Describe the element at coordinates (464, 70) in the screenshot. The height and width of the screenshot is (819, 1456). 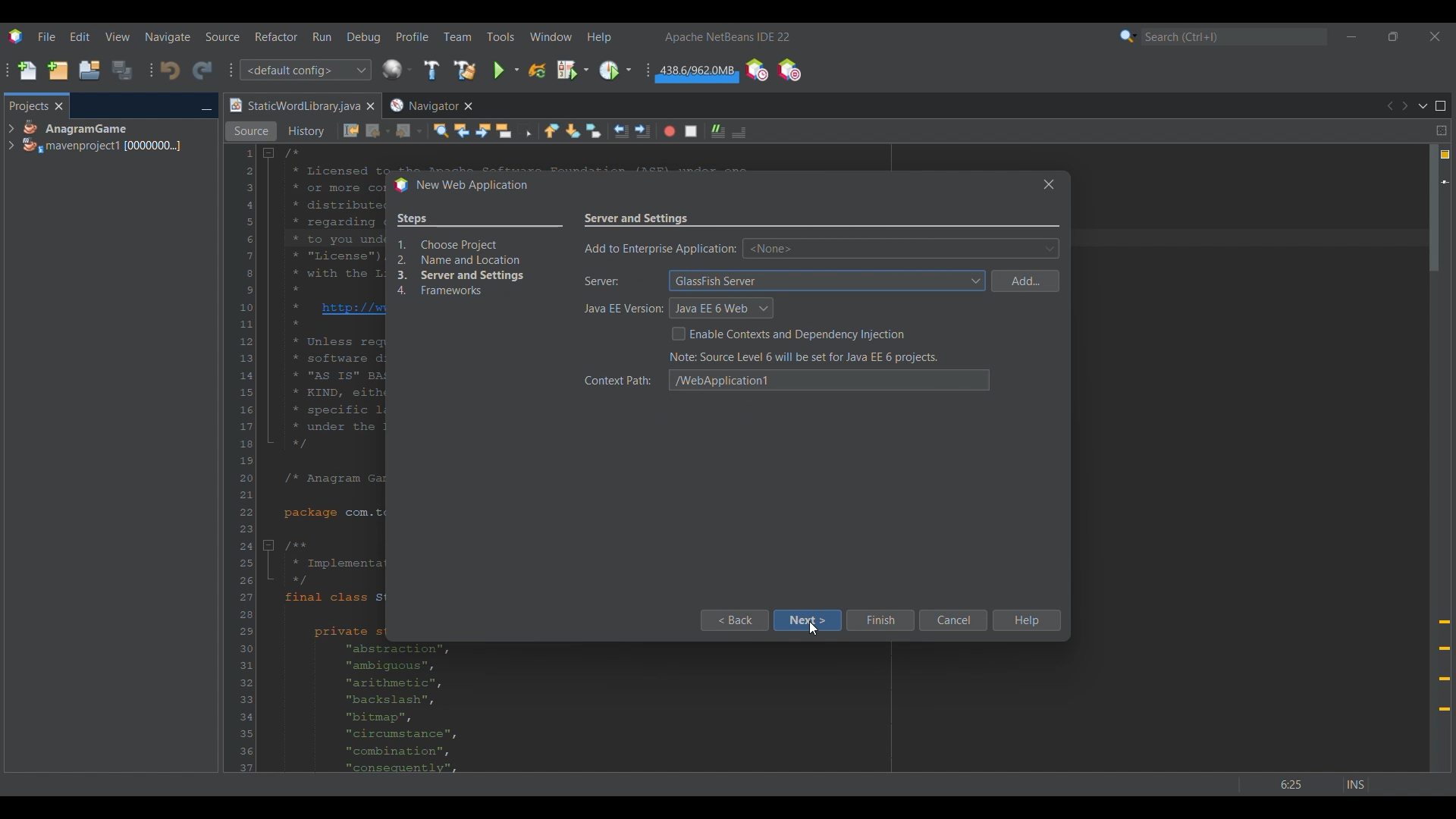
I see `Clean and build main project` at that location.